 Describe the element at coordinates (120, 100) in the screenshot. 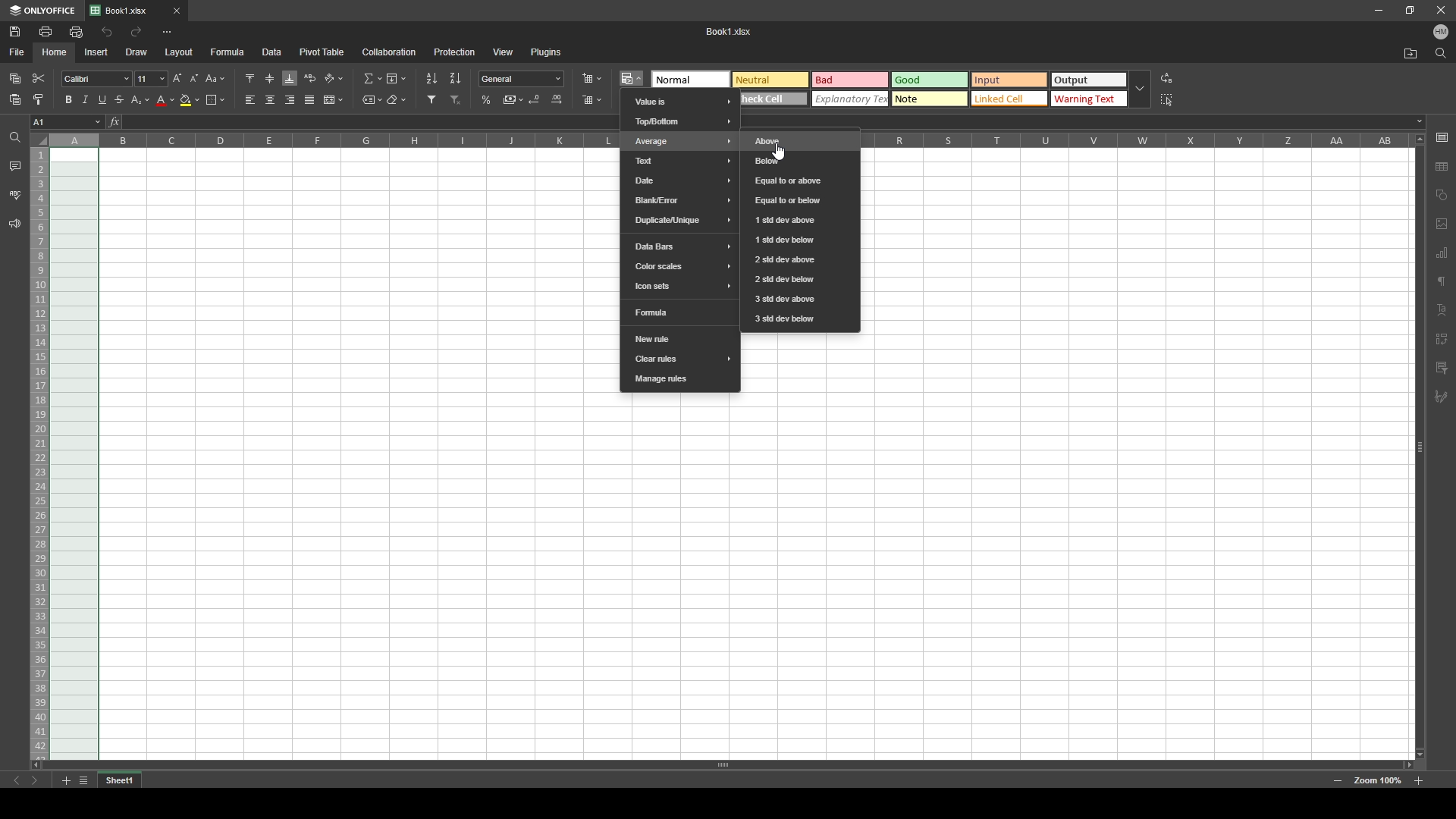

I see `strikethrough` at that location.